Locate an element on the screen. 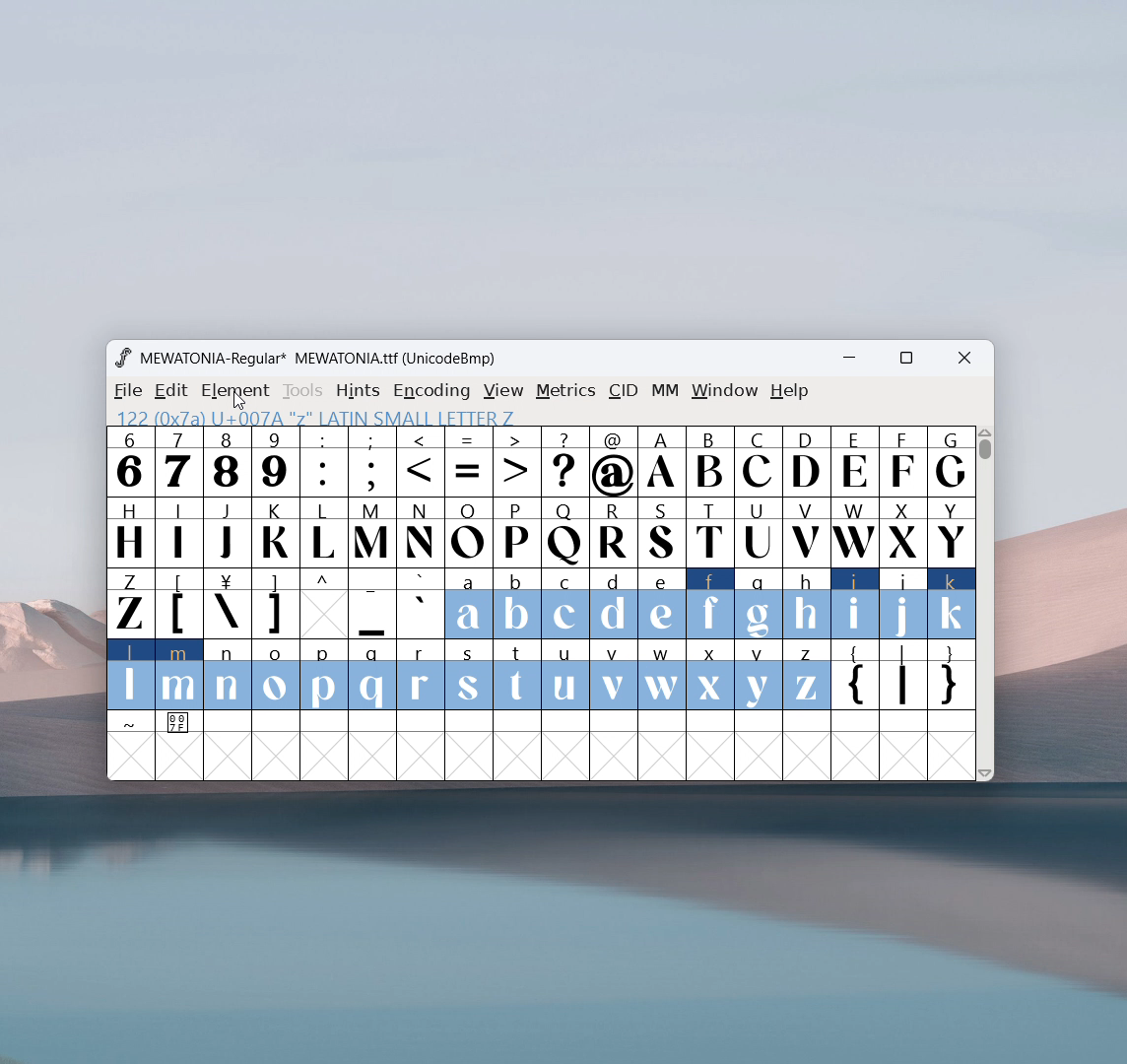  close is located at coordinates (964, 359).